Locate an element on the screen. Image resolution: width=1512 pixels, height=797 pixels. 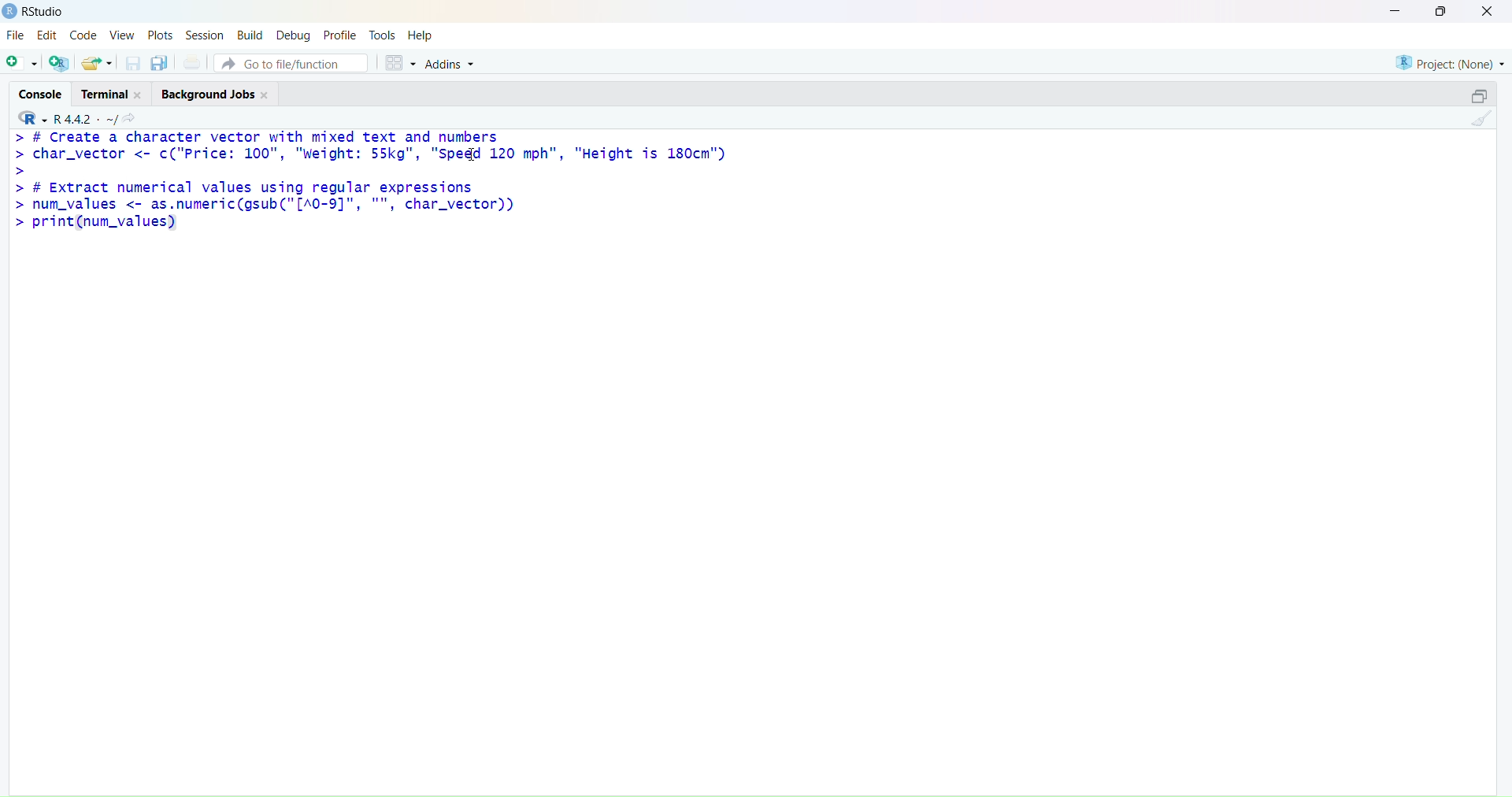
grid view is located at coordinates (401, 63).